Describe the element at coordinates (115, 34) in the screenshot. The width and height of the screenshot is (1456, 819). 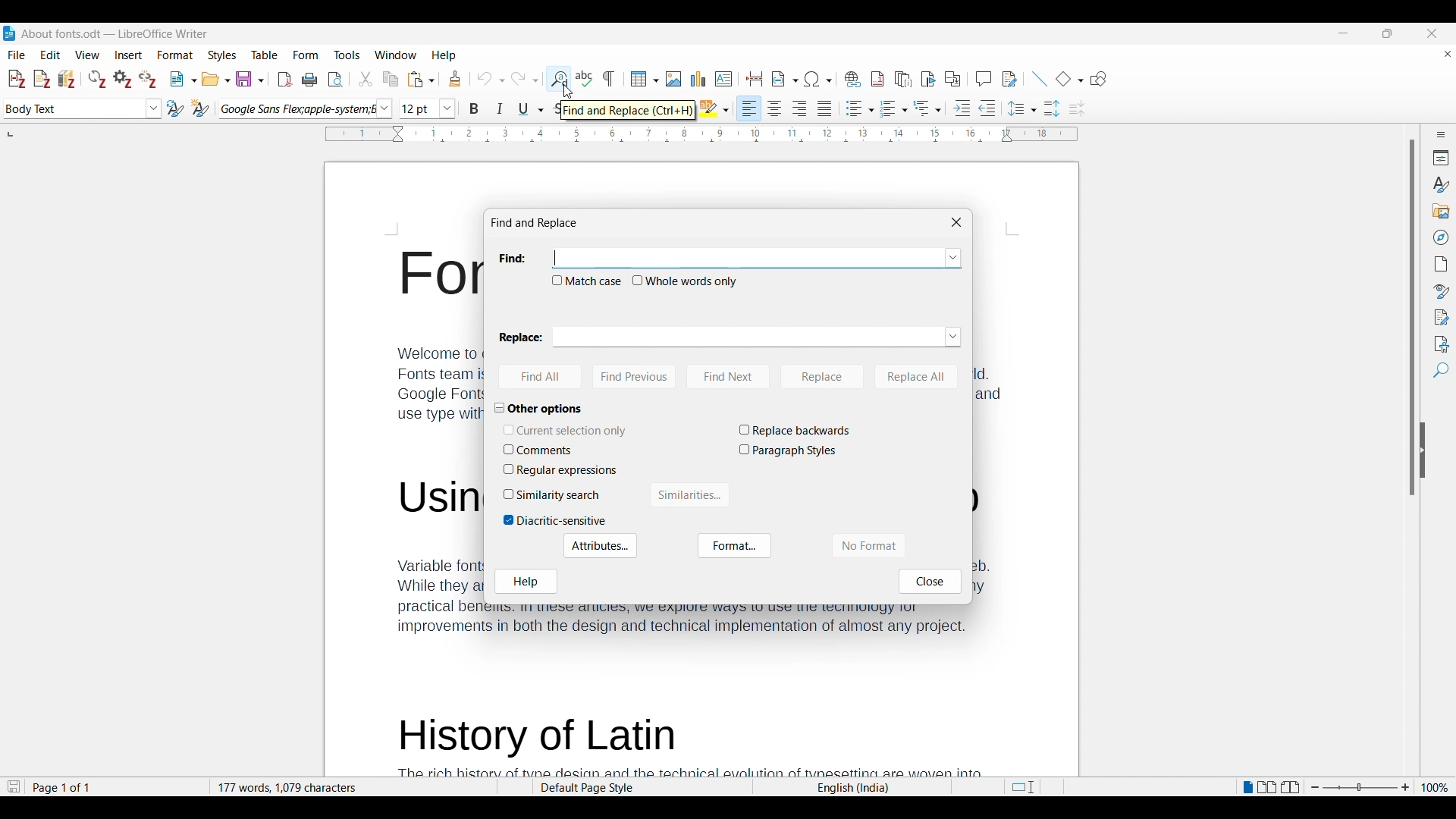
I see `Software and project name` at that location.